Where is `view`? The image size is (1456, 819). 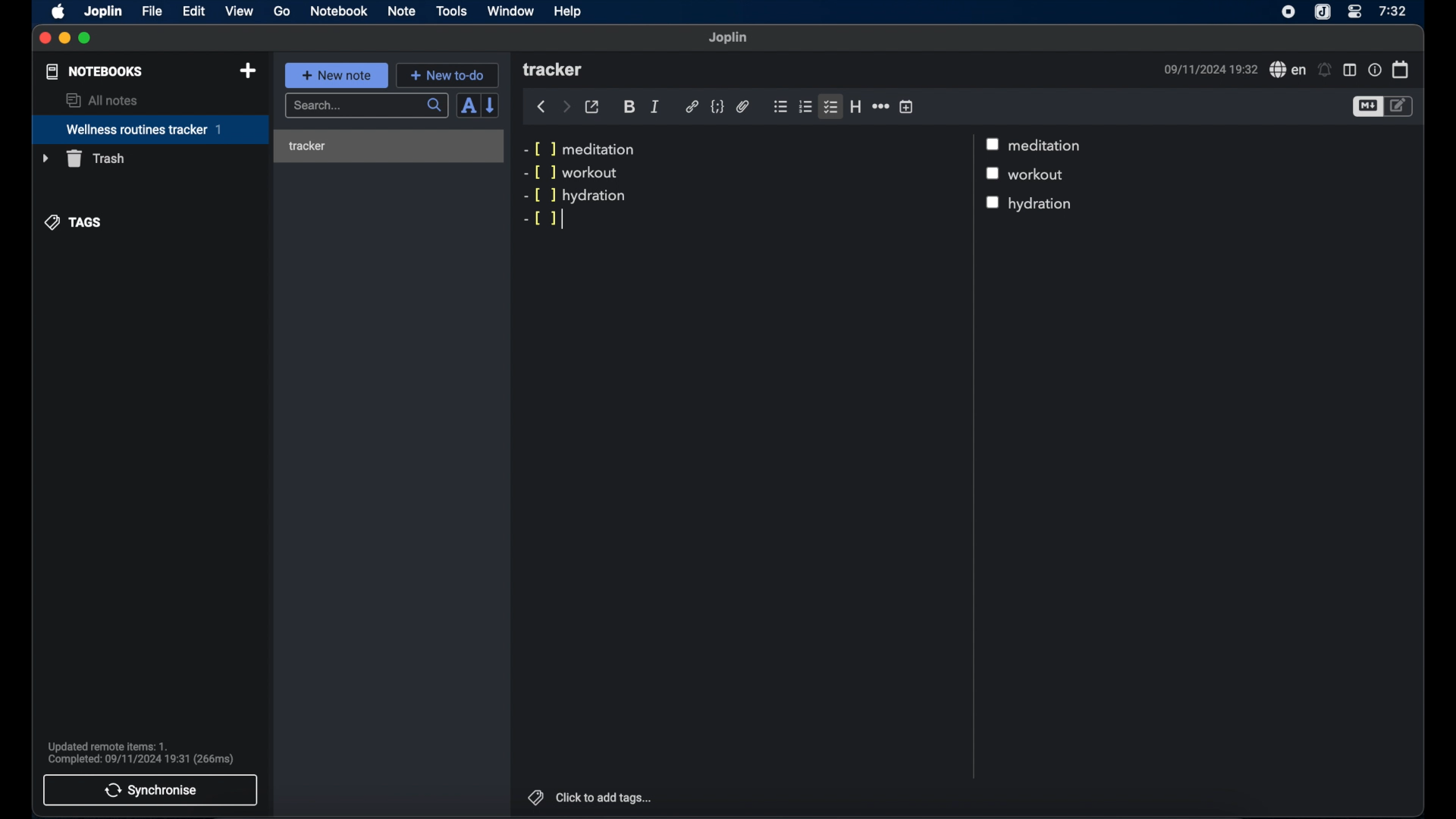 view is located at coordinates (239, 11).